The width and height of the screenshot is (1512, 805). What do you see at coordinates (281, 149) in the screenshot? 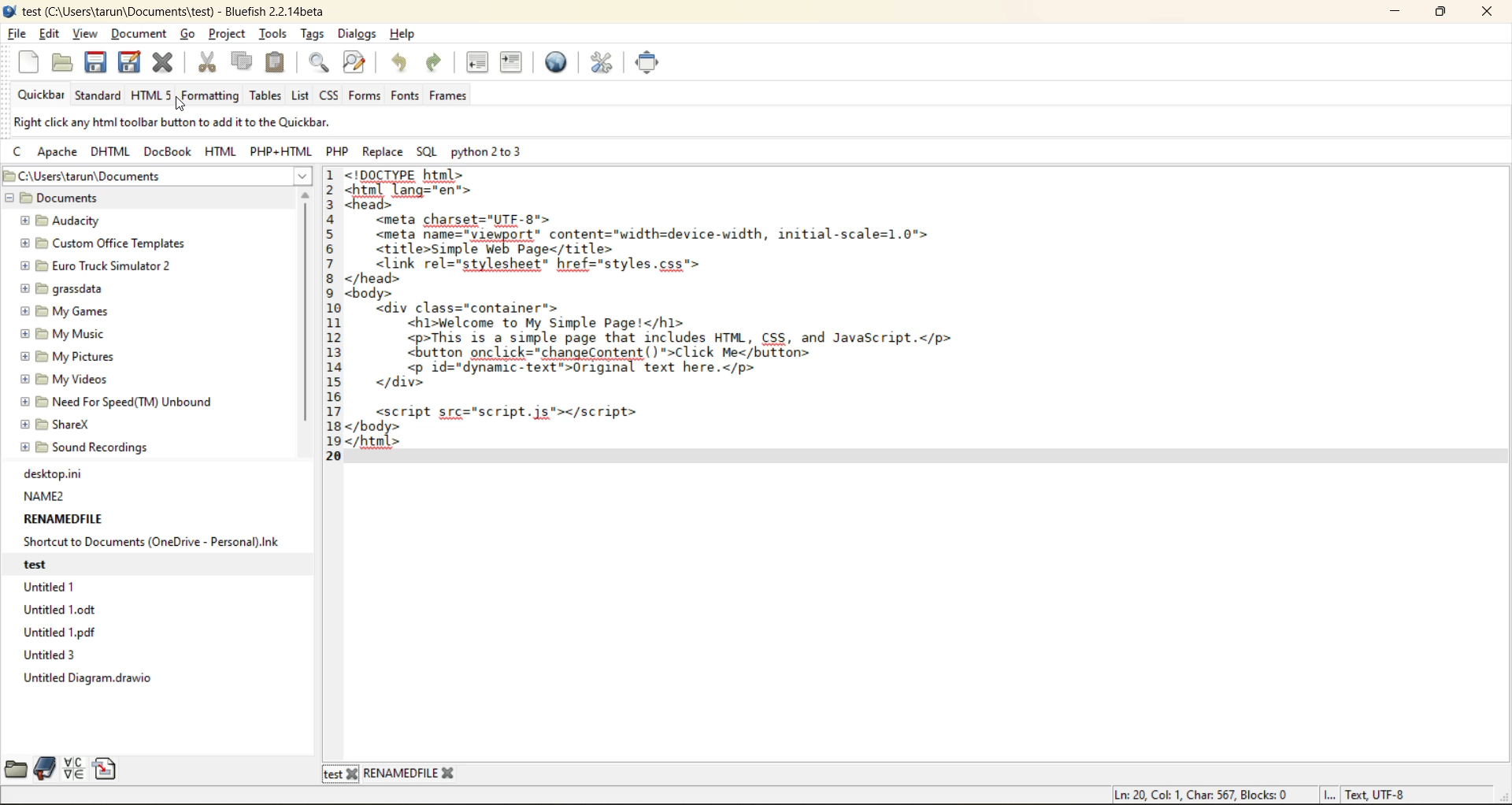
I see `php html` at bounding box center [281, 149].